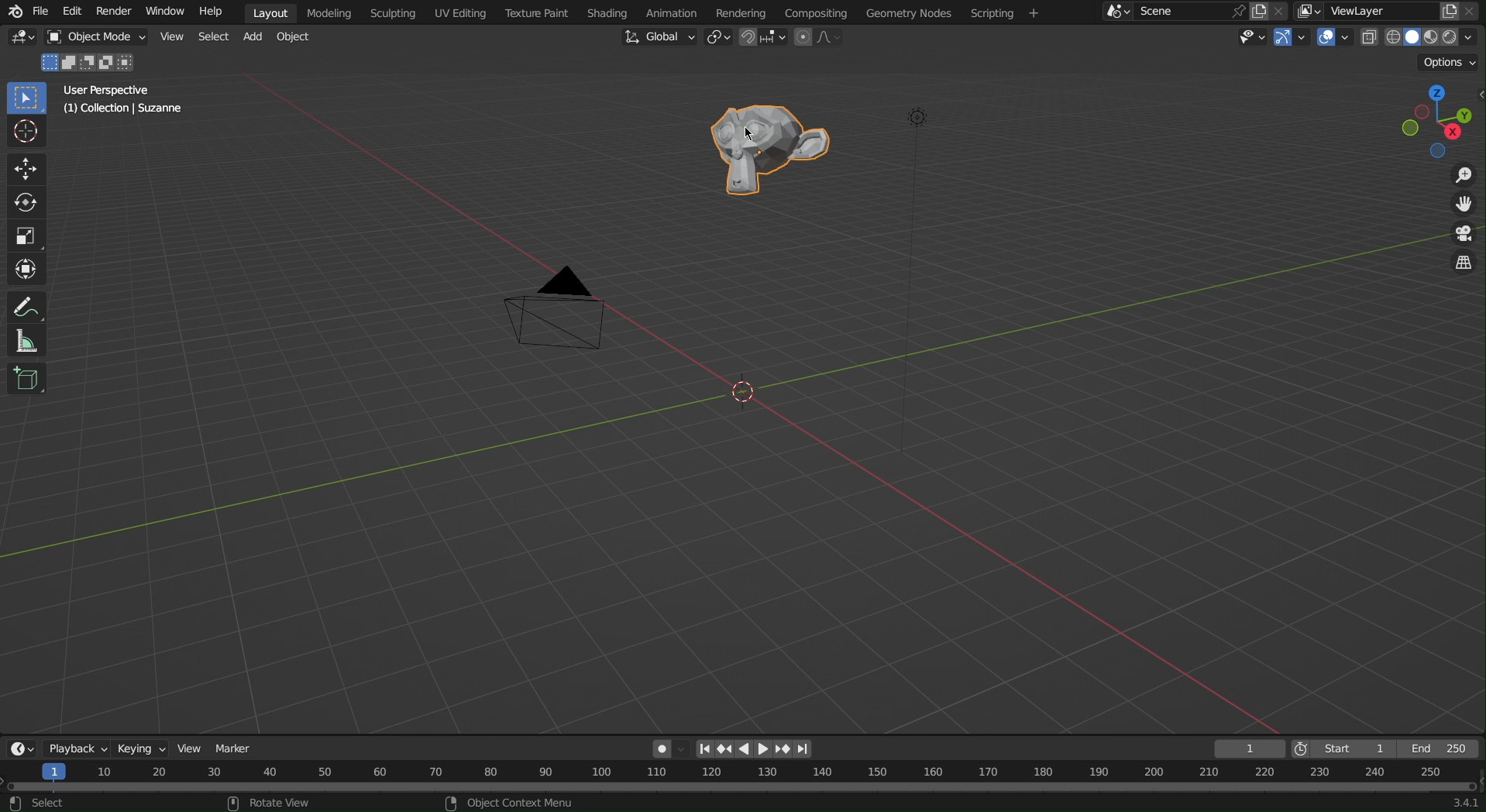 The height and width of the screenshot is (812, 1486). I want to click on extend existing selection, so click(73, 64).